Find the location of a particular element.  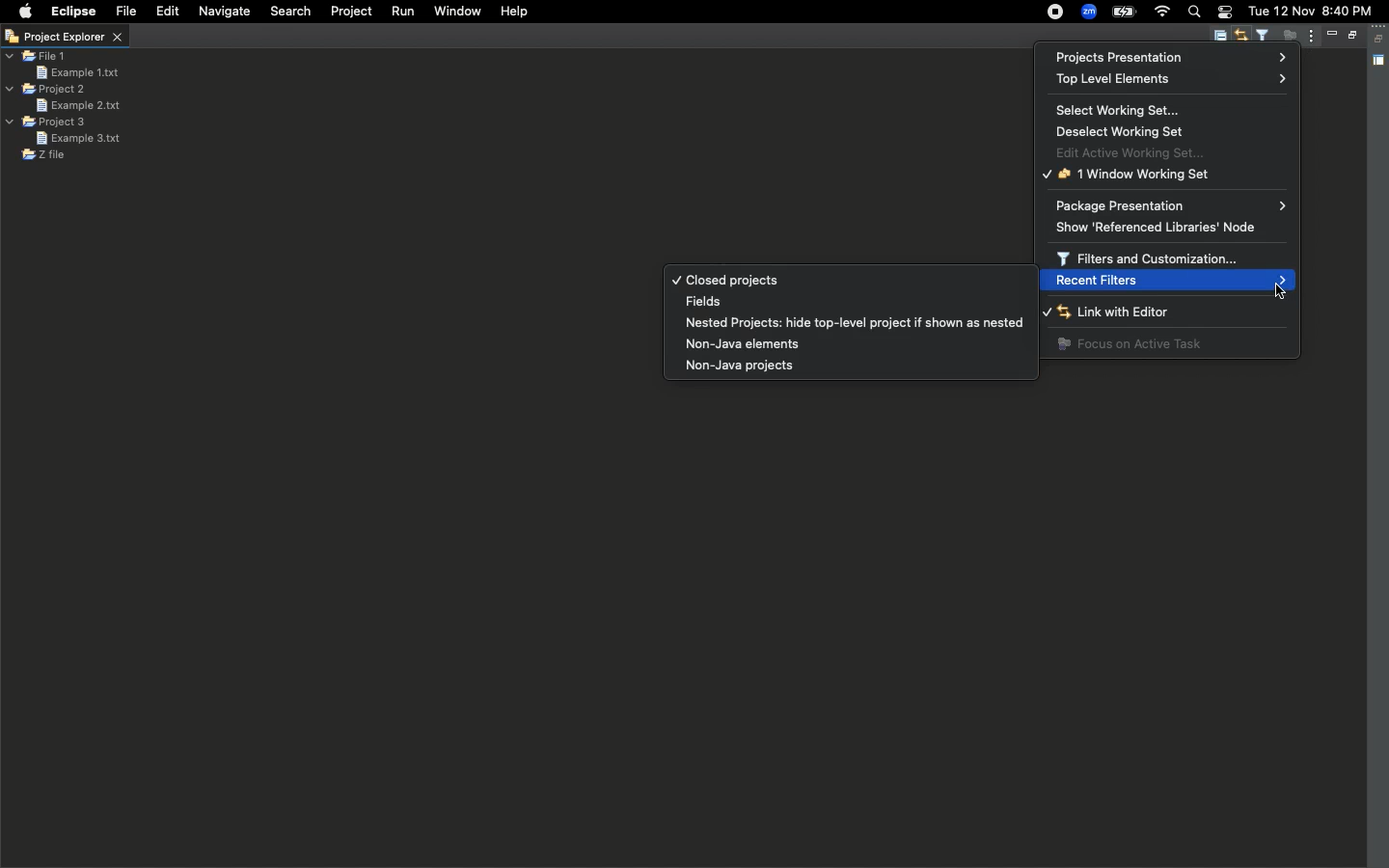

Top level elements is located at coordinates (1169, 80).